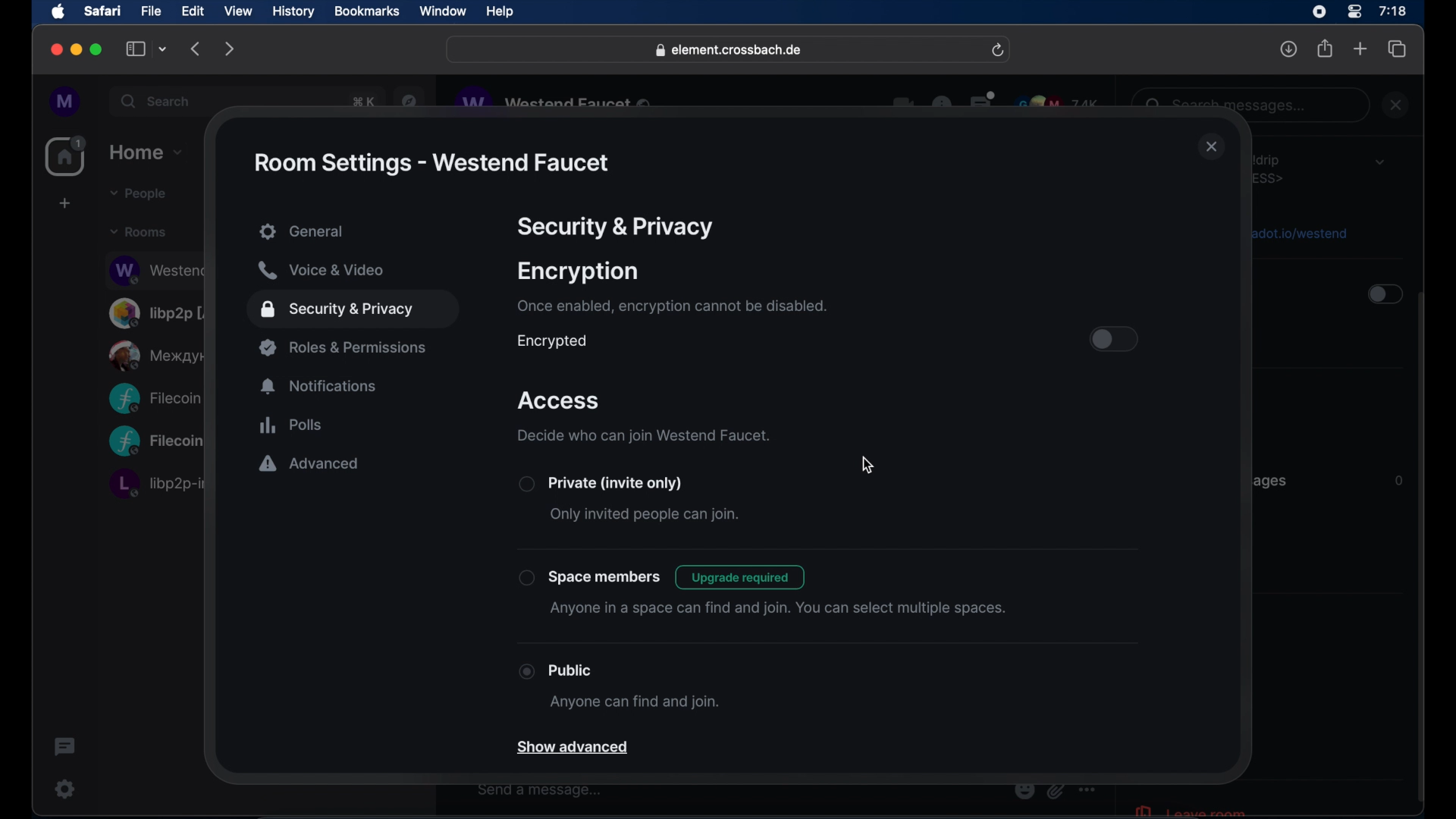 The width and height of the screenshot is (1456, 819). What do you see at coordinates (443, 11) in the screenshot?
I see `window` at bounding box center [443, 11].